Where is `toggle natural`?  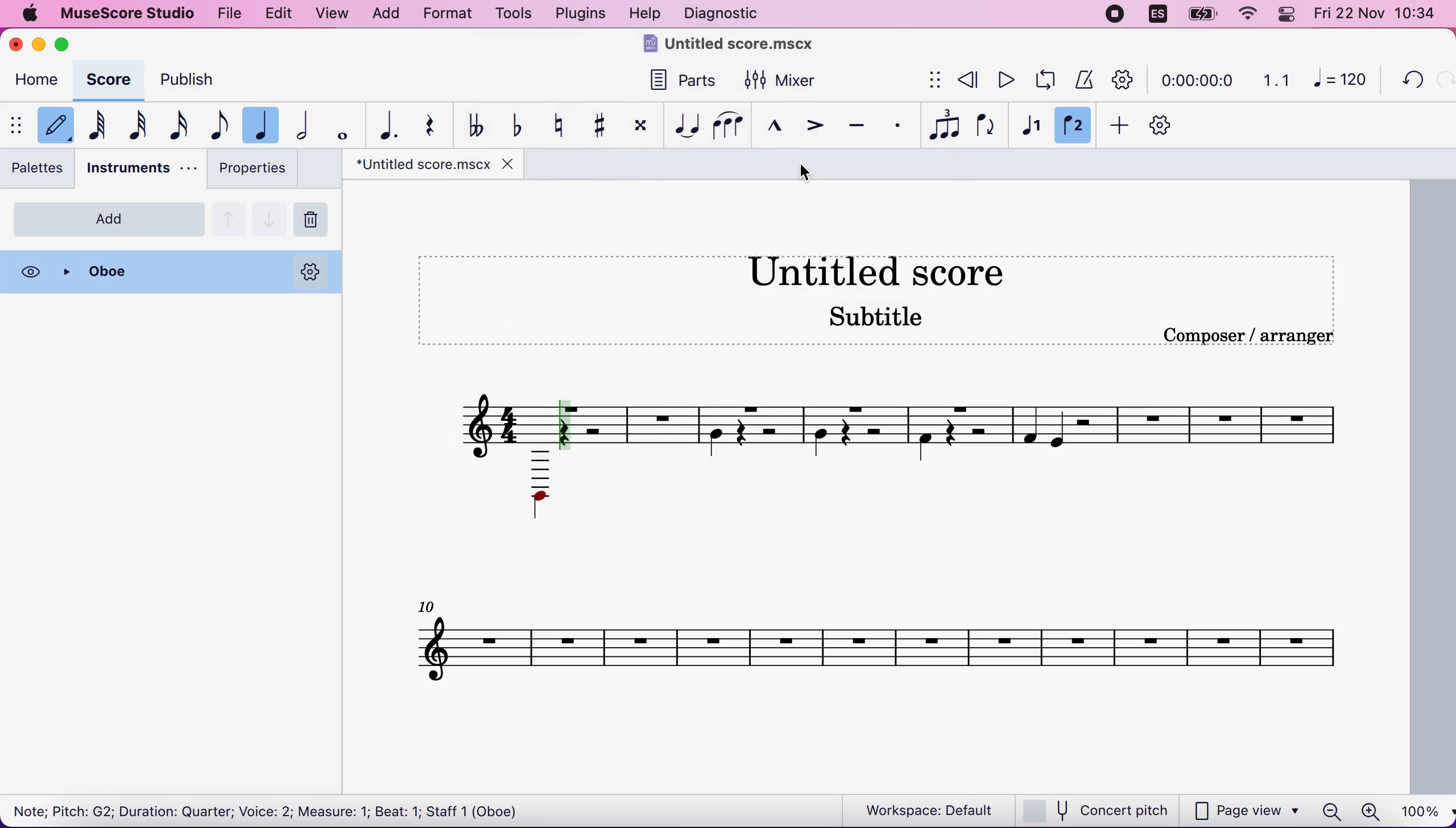
toggle natural is located at coordinates (561, 125).